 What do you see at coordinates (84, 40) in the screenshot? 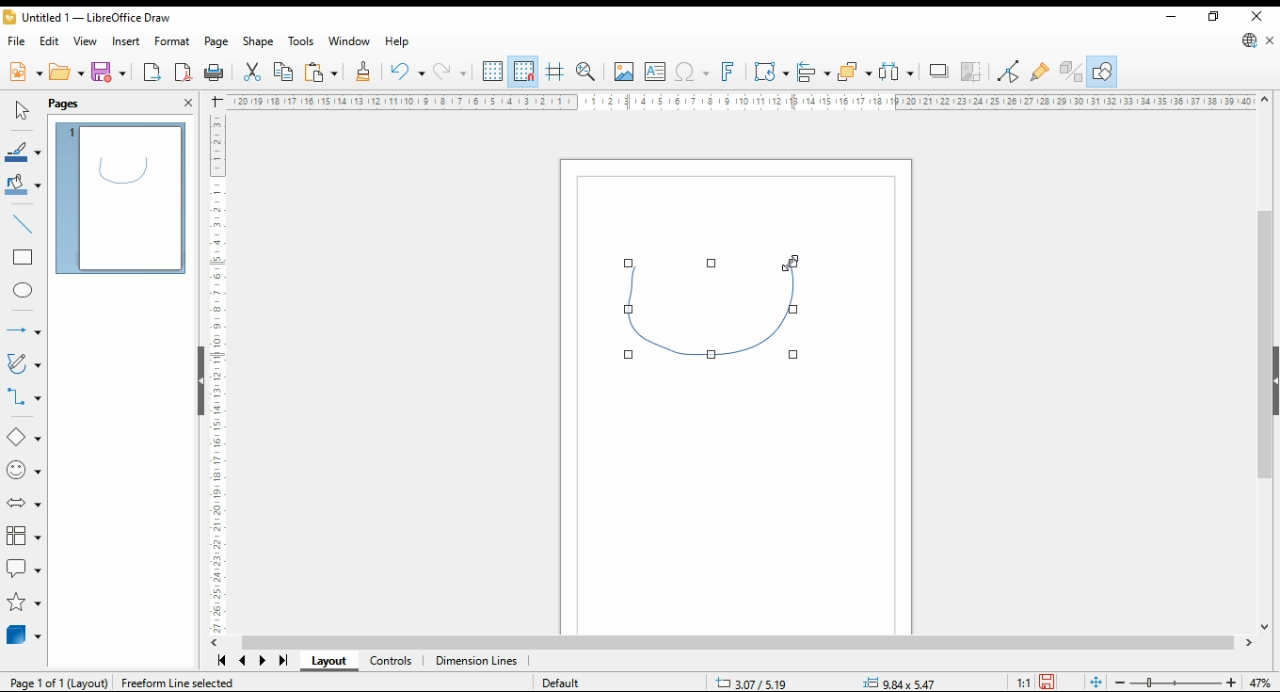
I see `view` at bounding box center [84, 40].